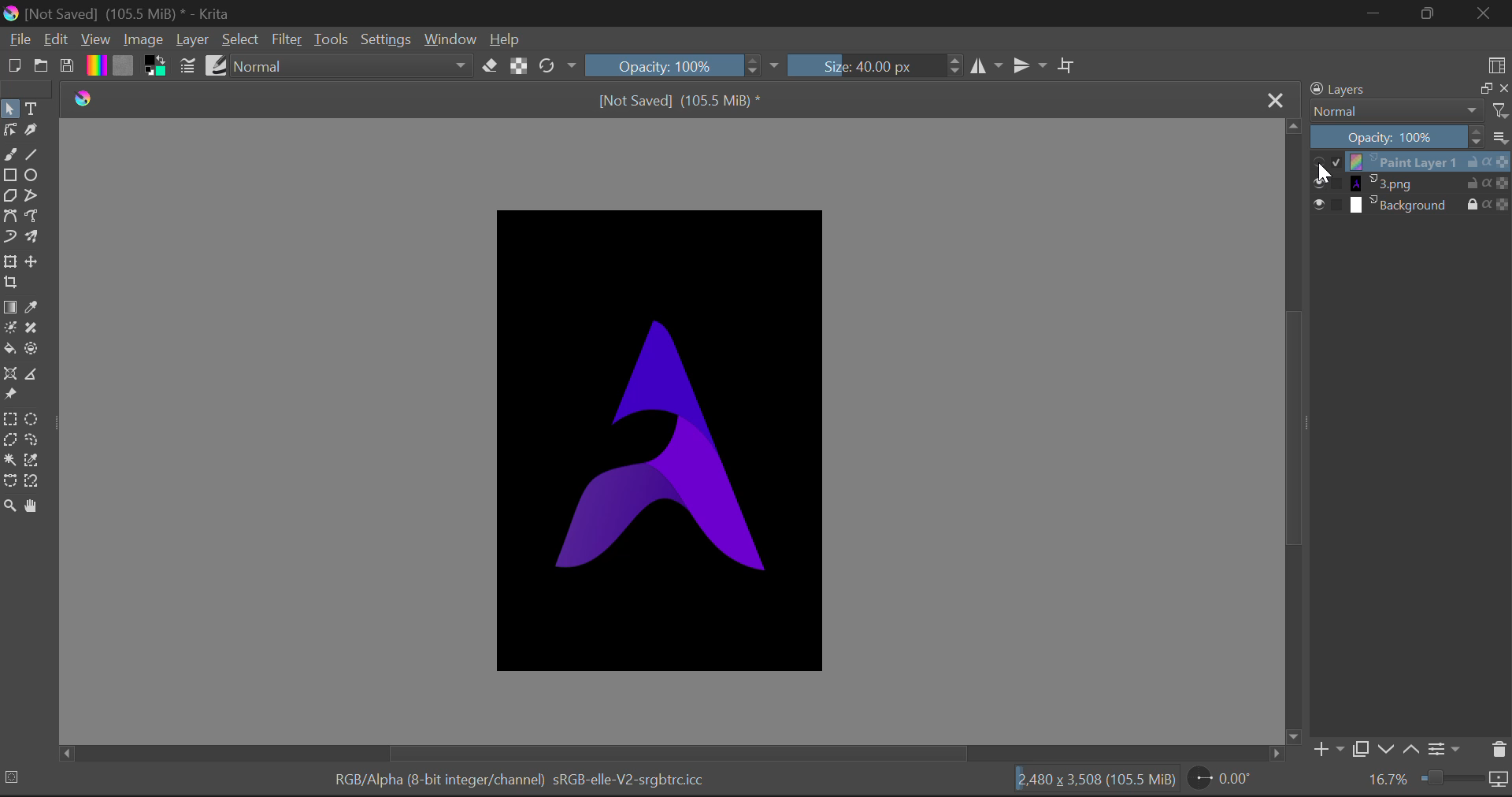 This screenshot has width=1512, height=797. I want to click on Dynamic Brush Tool, so click(9, 236).